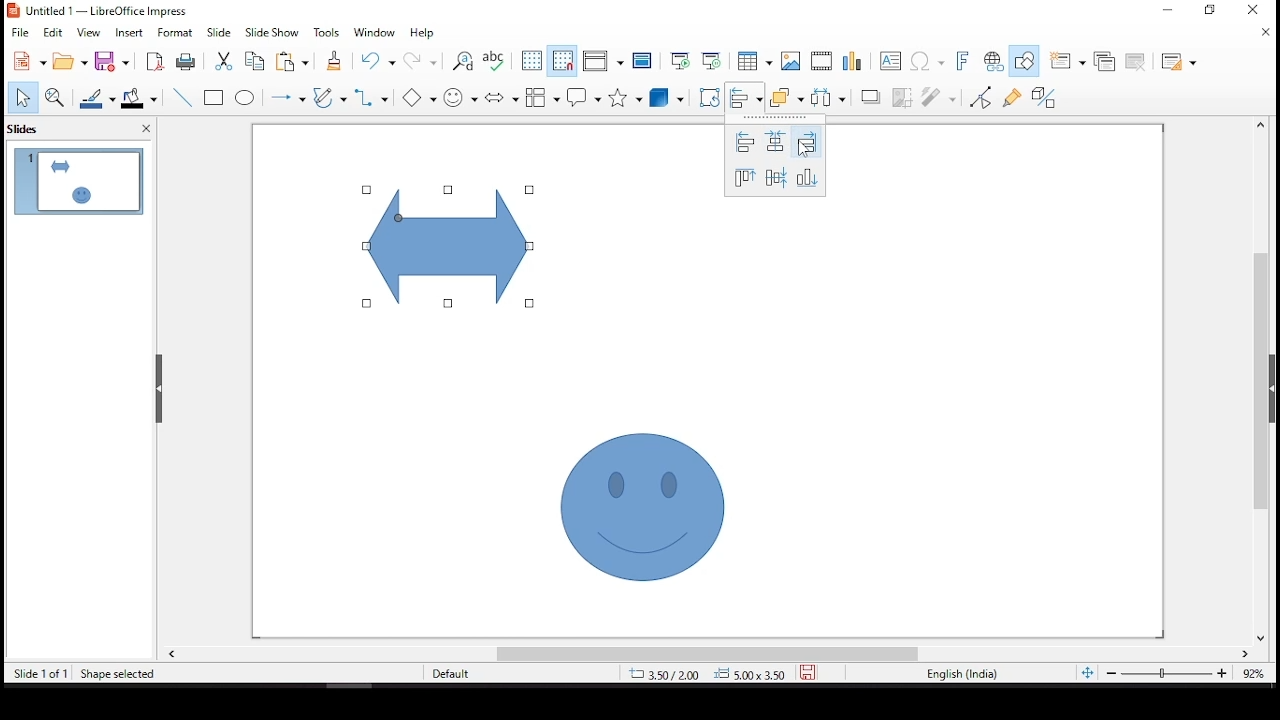 This screenshot has height=720, width=1280. What do you see at coordinates (41, 673) in the screenshot?
I see `slide 1 of 1` at bounding box center [41, 673].